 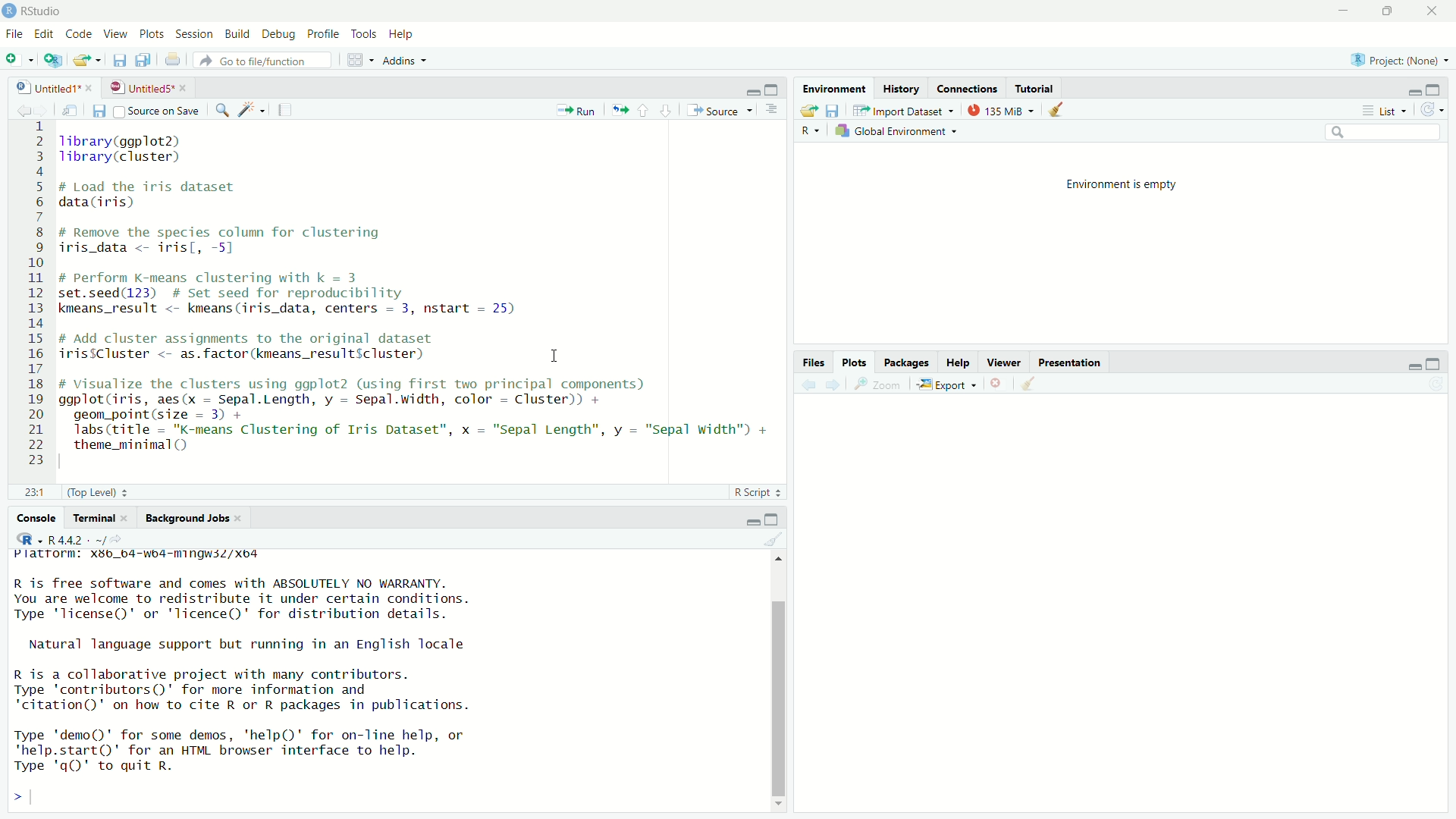 What do you see at coordinates (98, 491) in the screenshot?
I see `(Top level)` at bounding box center [98, 491].